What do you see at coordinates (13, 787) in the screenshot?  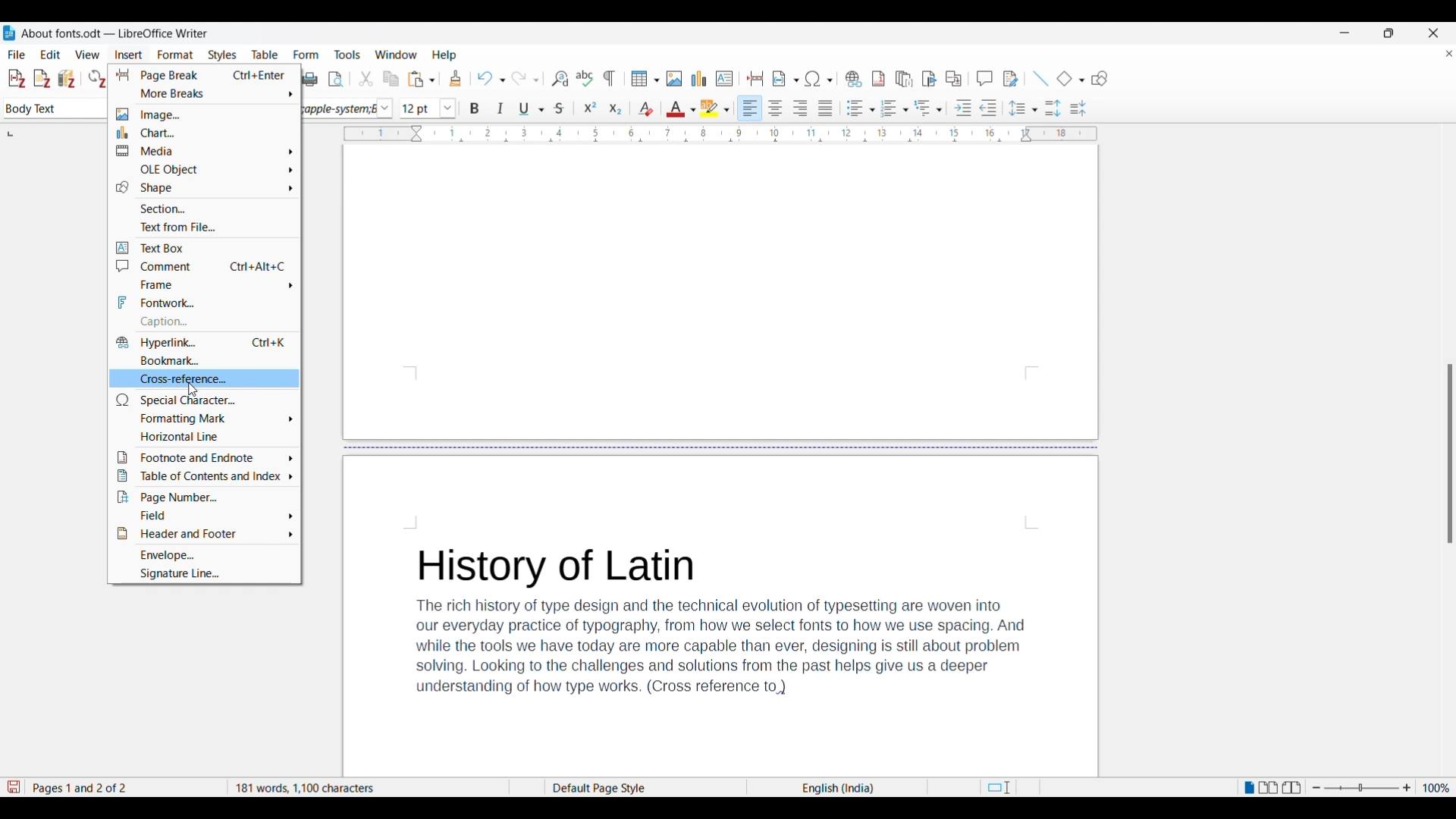 I see `Indicates modifications in the document that require changes` at bounding box center [13, 787].